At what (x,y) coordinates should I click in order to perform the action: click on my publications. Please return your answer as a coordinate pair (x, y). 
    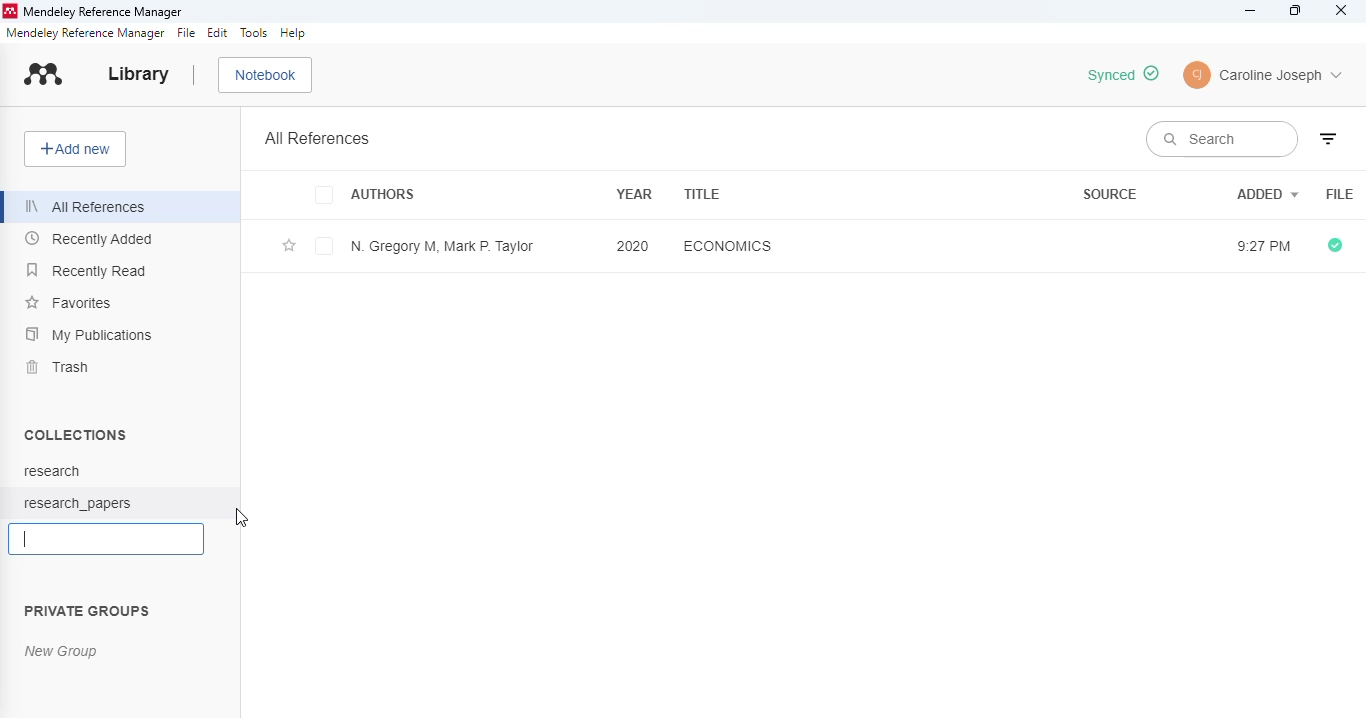
    Looking at the image, I should click on (89, 335).